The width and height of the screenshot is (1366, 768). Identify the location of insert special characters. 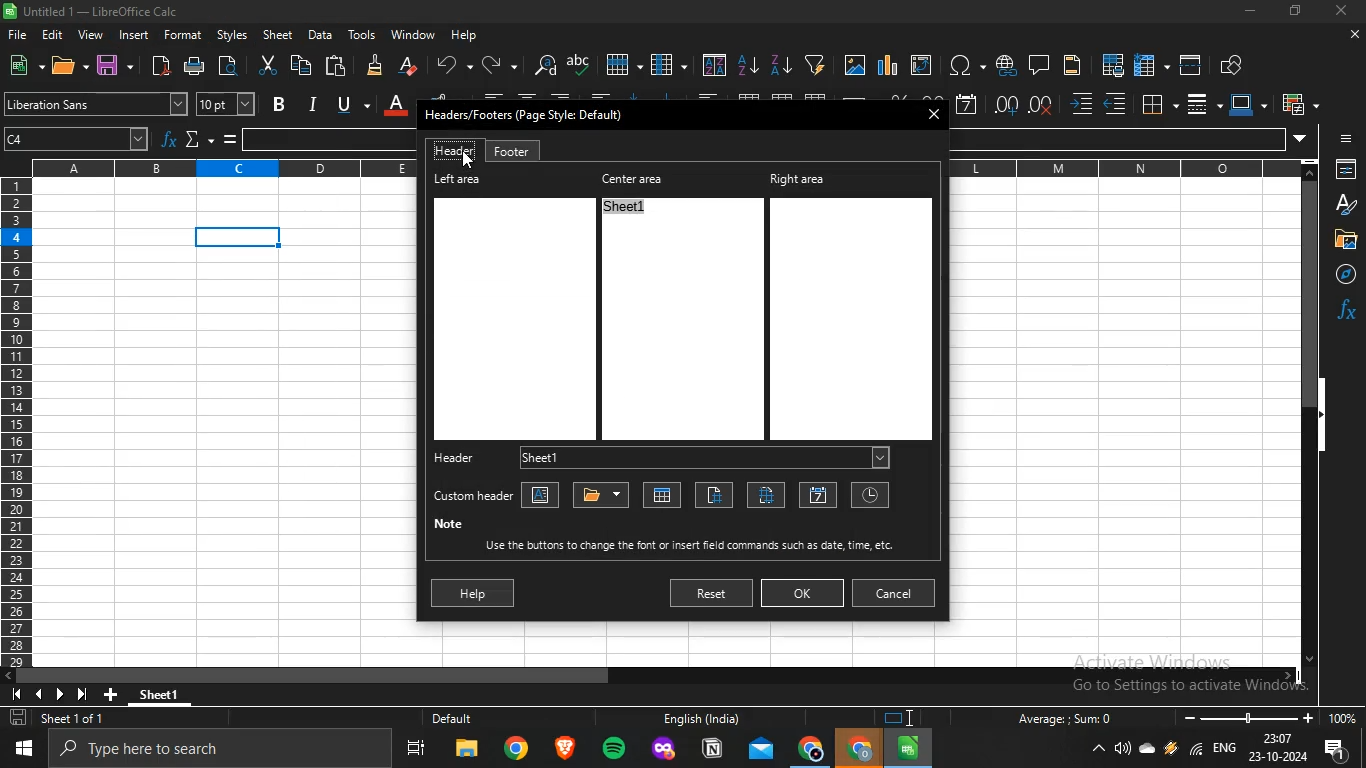
(962, 65).